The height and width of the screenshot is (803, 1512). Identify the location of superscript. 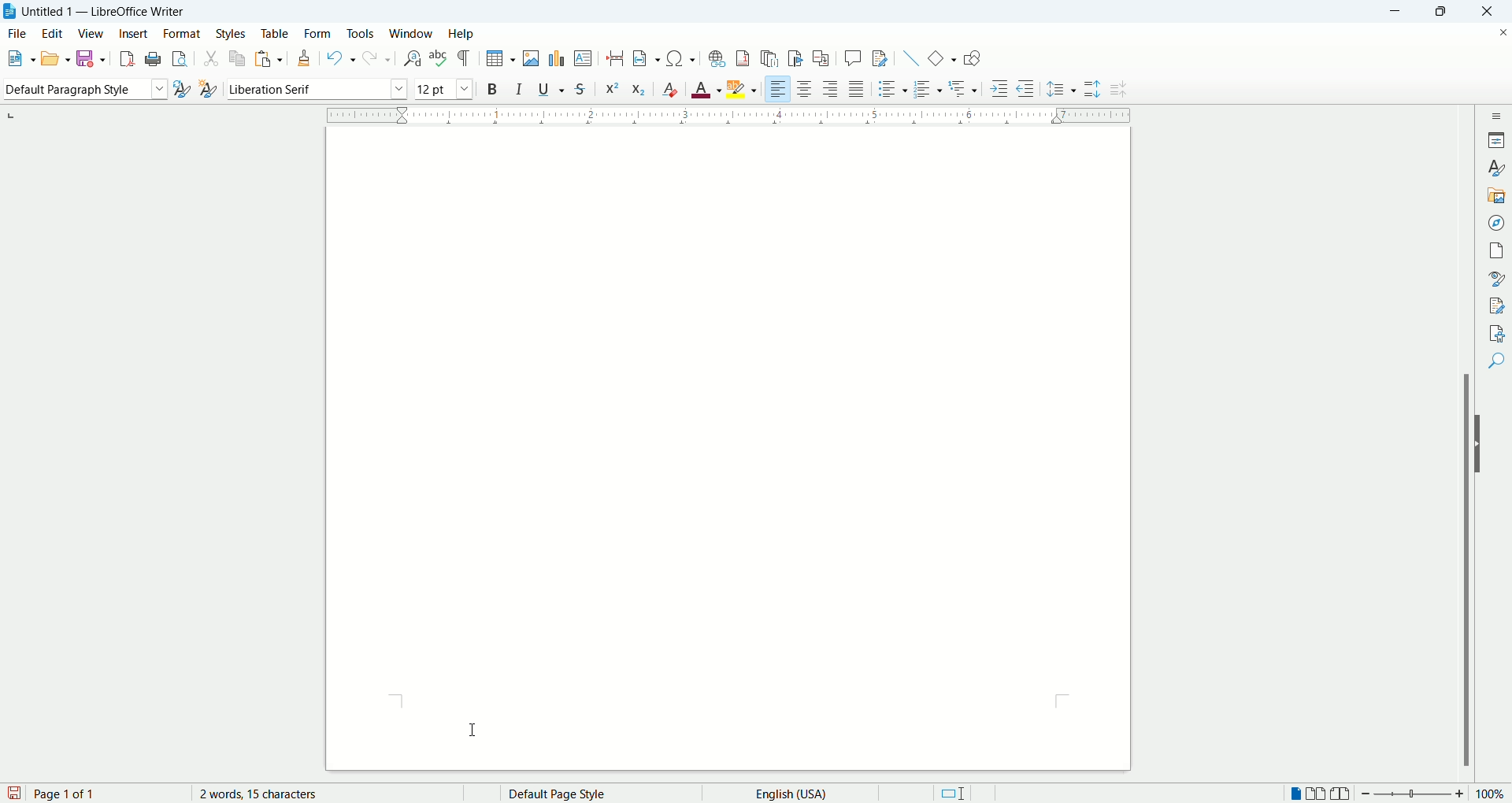
(610, 87).